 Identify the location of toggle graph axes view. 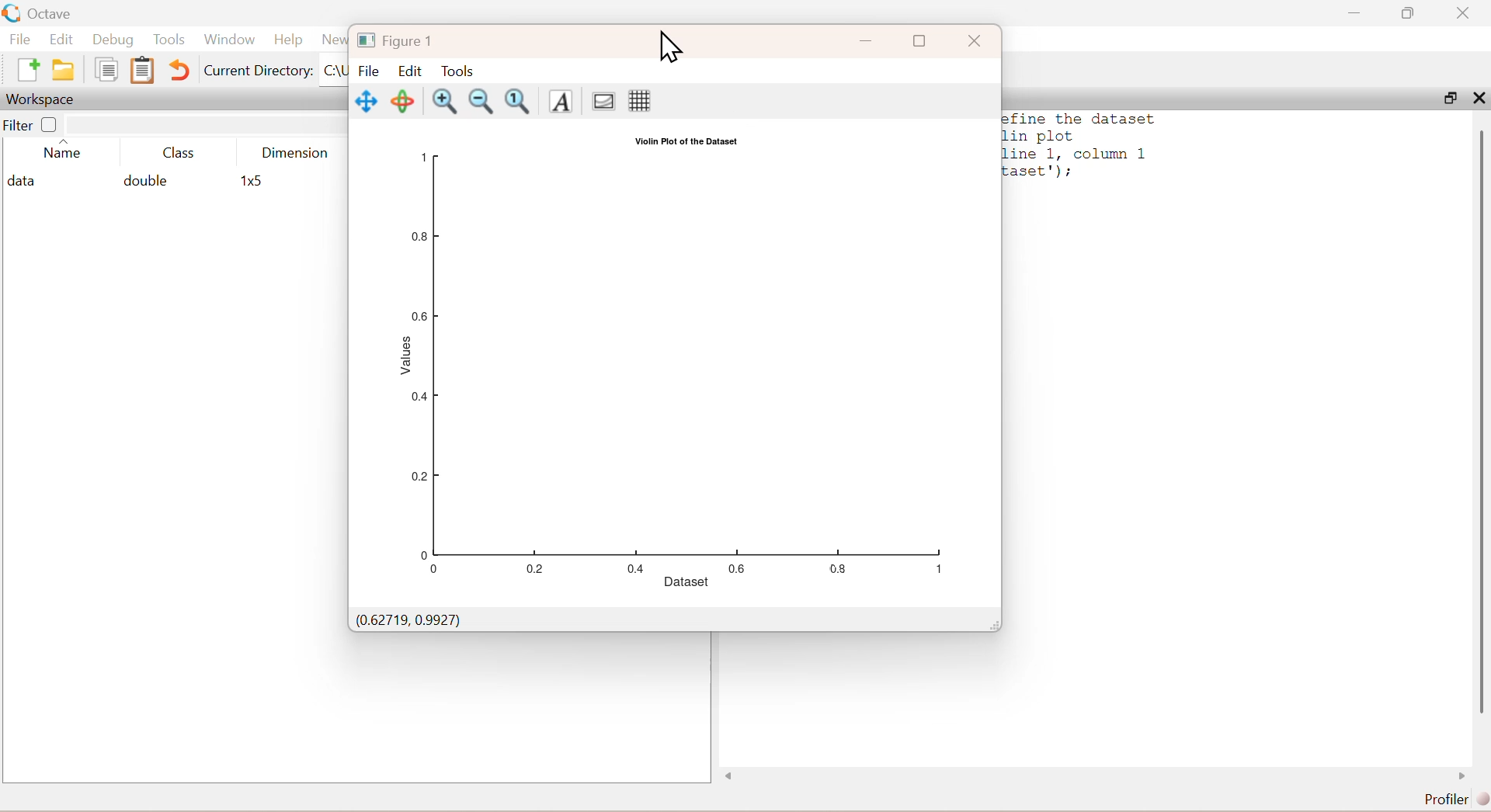
(604, 100).